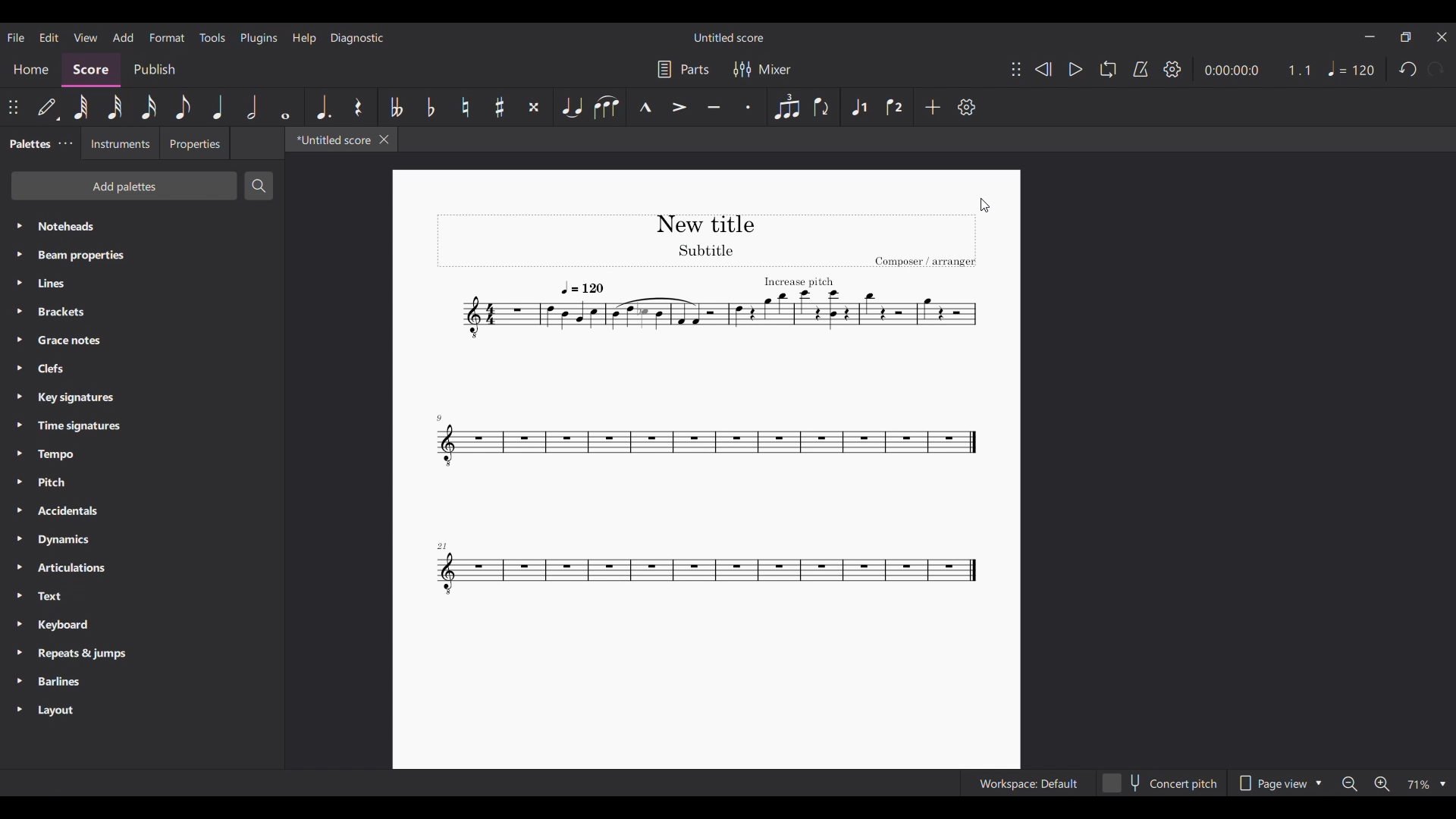 The height and width of the screenshot is (819, 1456). I want to click on Text, so click(142, 597).